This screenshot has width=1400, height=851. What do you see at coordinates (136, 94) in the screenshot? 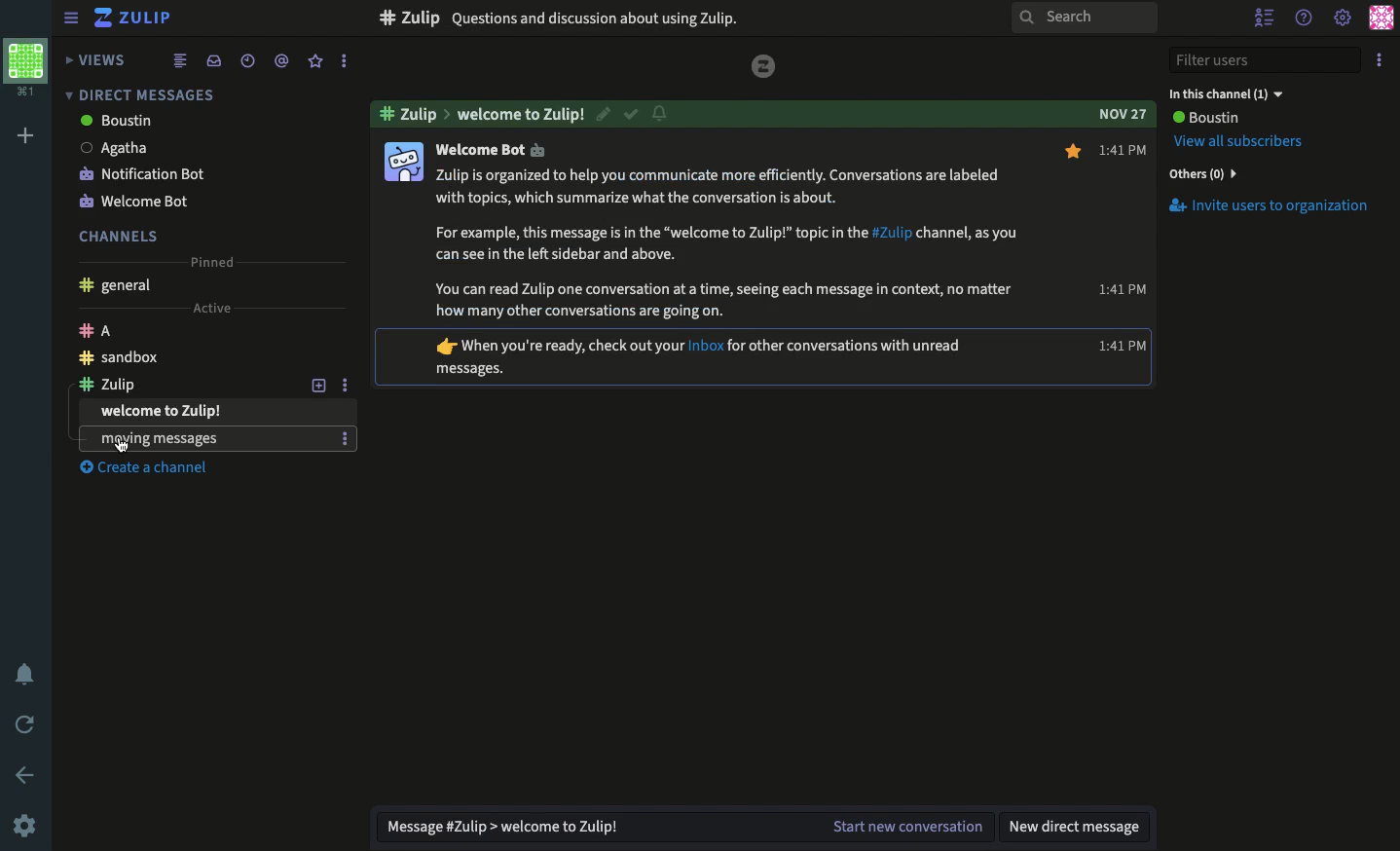
I see `Direct messages` at bounding box center [136, 94].